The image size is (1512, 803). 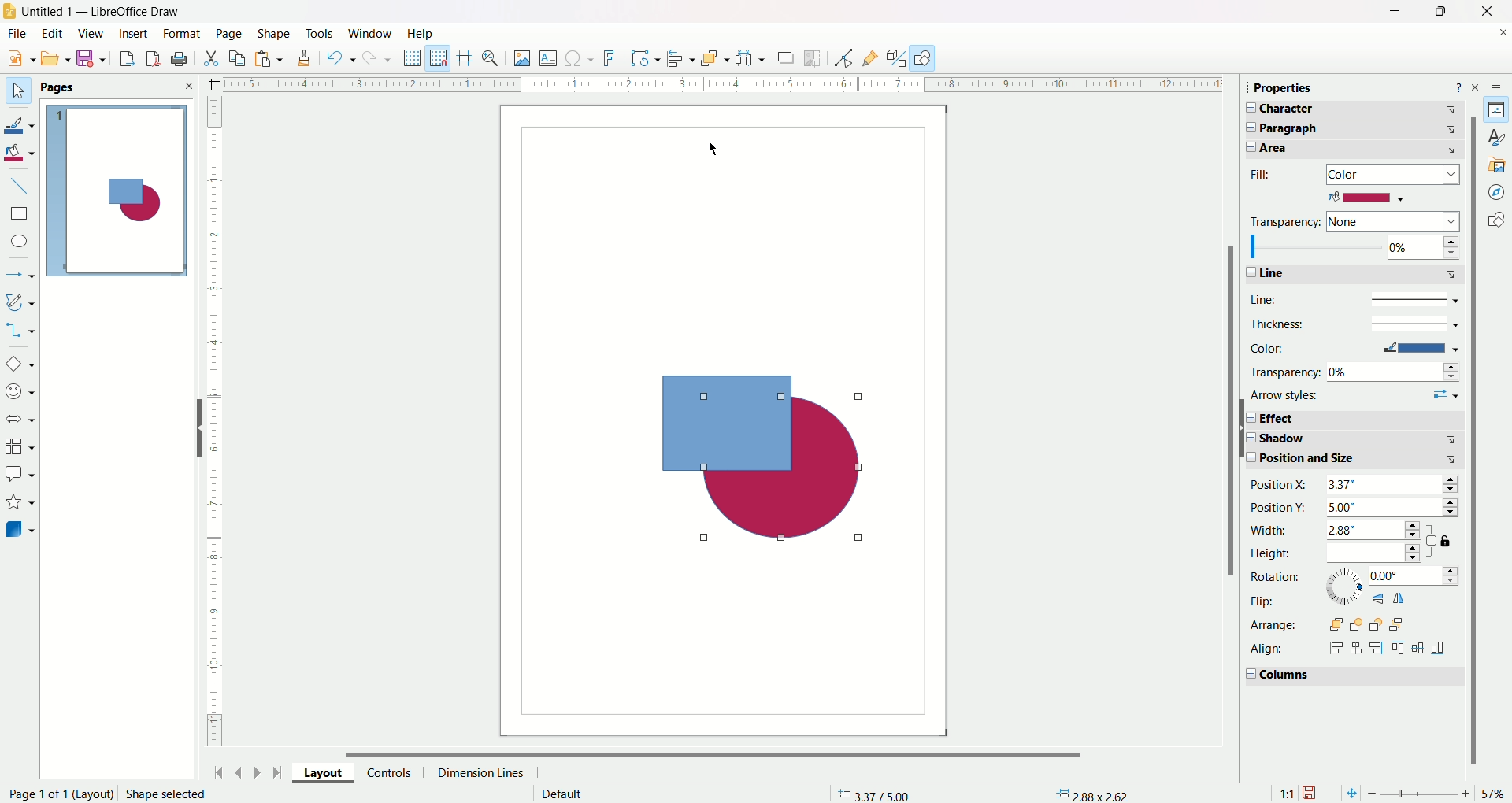 What do you see at coordinates (1094, 794) in the screenshot?
I see `dimensions` at bounding box center [1094, 794].